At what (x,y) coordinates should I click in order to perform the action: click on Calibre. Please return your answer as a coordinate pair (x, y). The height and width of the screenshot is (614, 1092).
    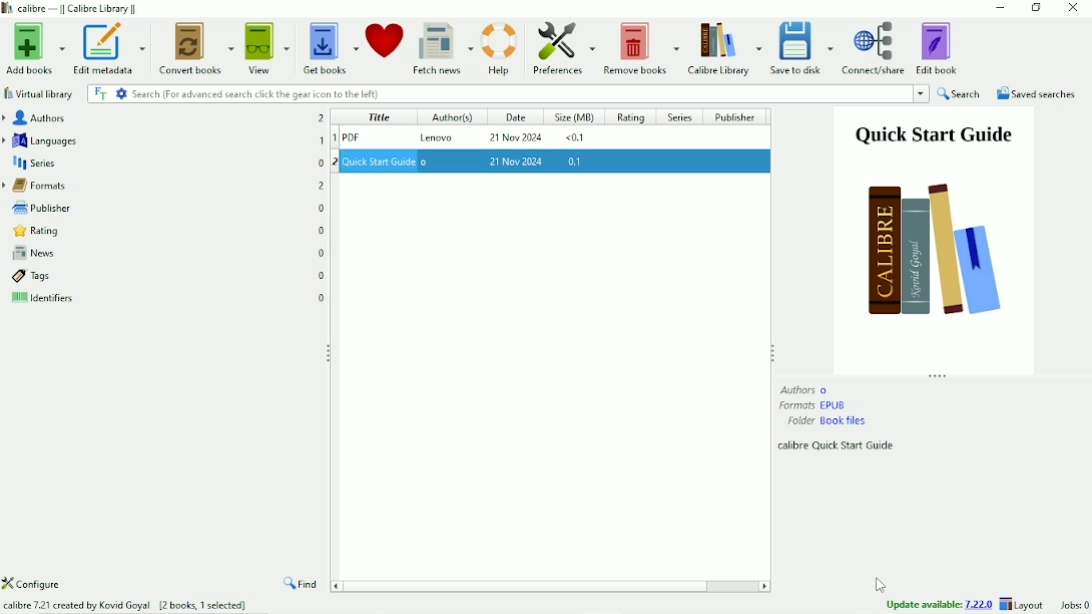
    Looking at the image, I should click on (76, 8).